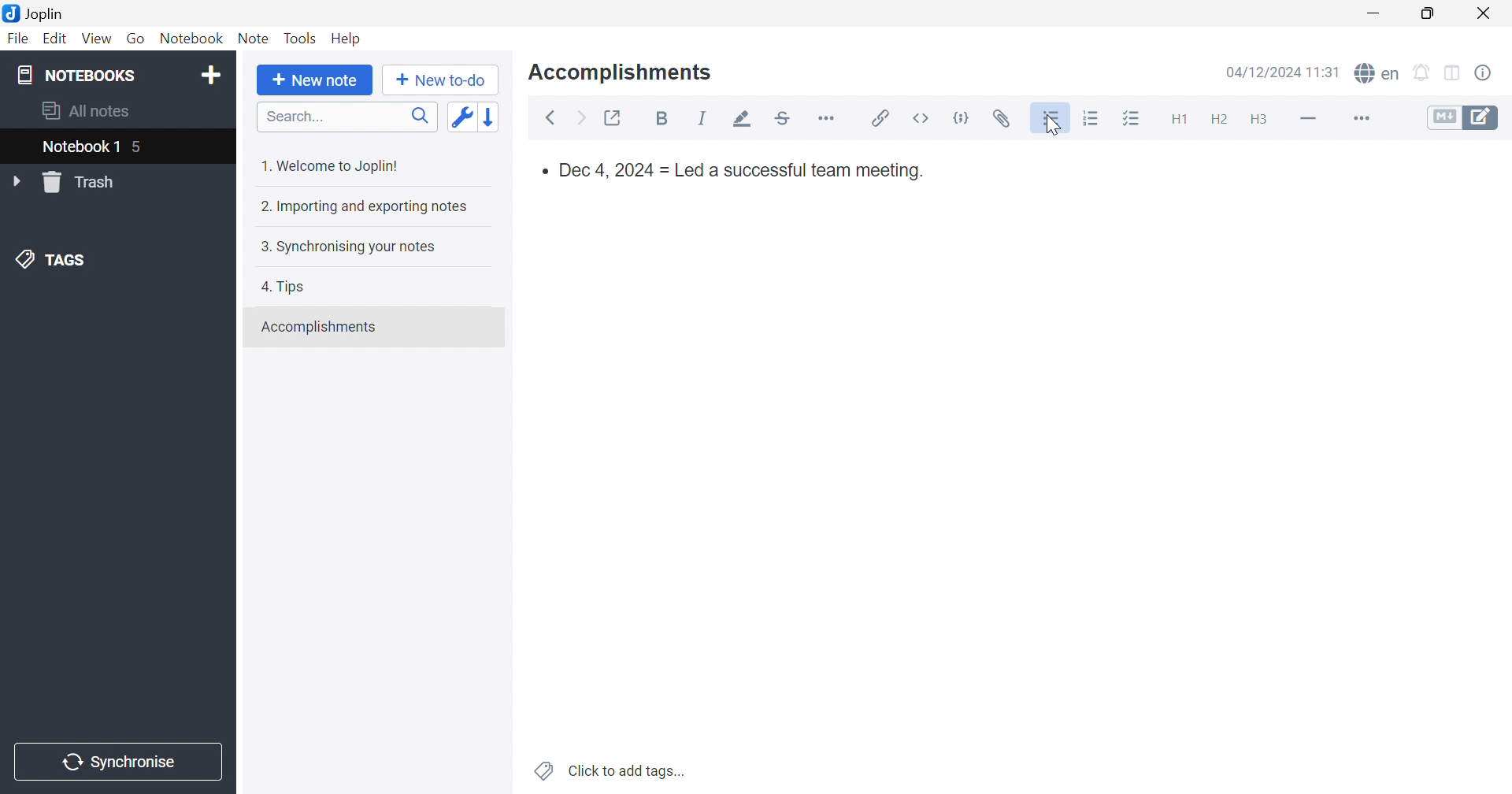 Image resolution: width=1512 pixels, height=794 pixels. I want to click on Bold, so click(662, 117).